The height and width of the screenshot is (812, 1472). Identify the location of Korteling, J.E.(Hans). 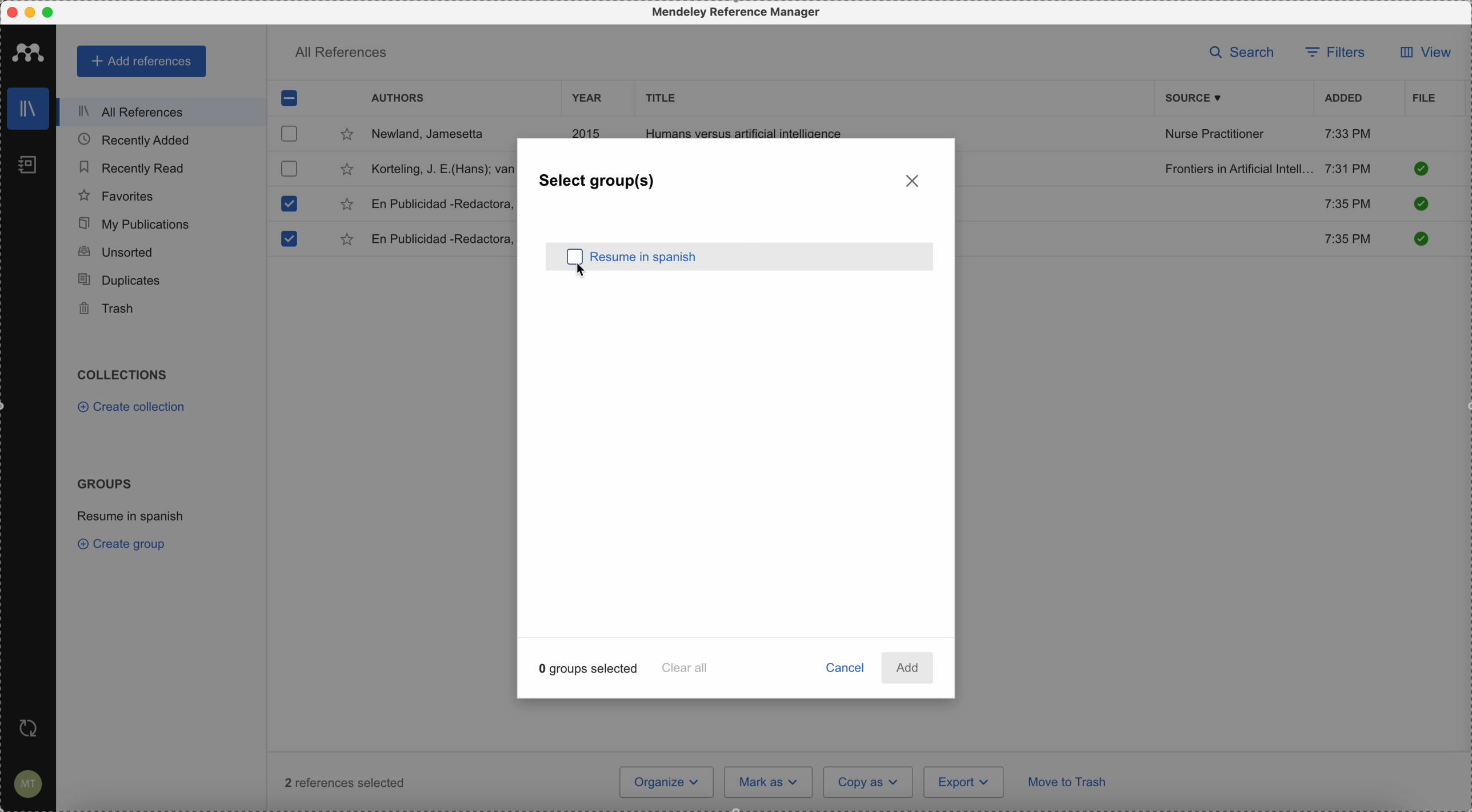
(441, 169).